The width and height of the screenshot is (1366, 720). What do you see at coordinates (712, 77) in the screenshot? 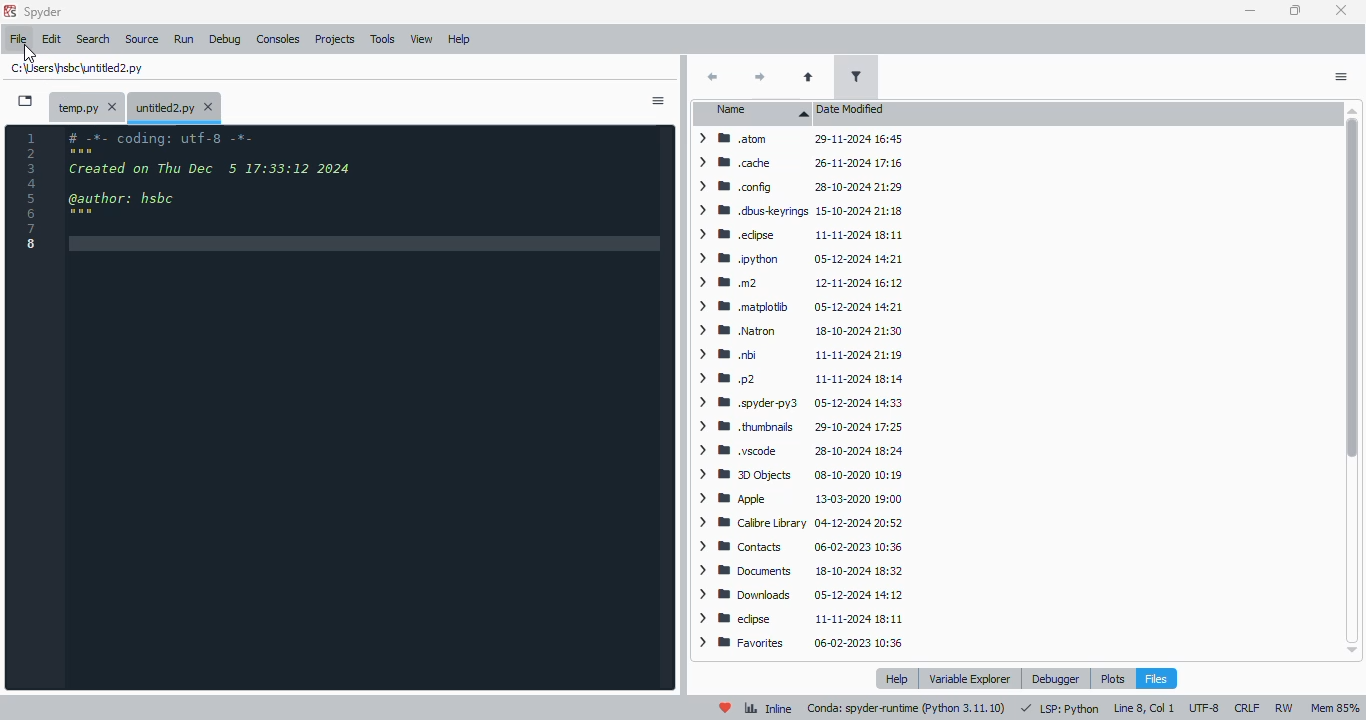
I see `back` at bounding box center [712, 77].